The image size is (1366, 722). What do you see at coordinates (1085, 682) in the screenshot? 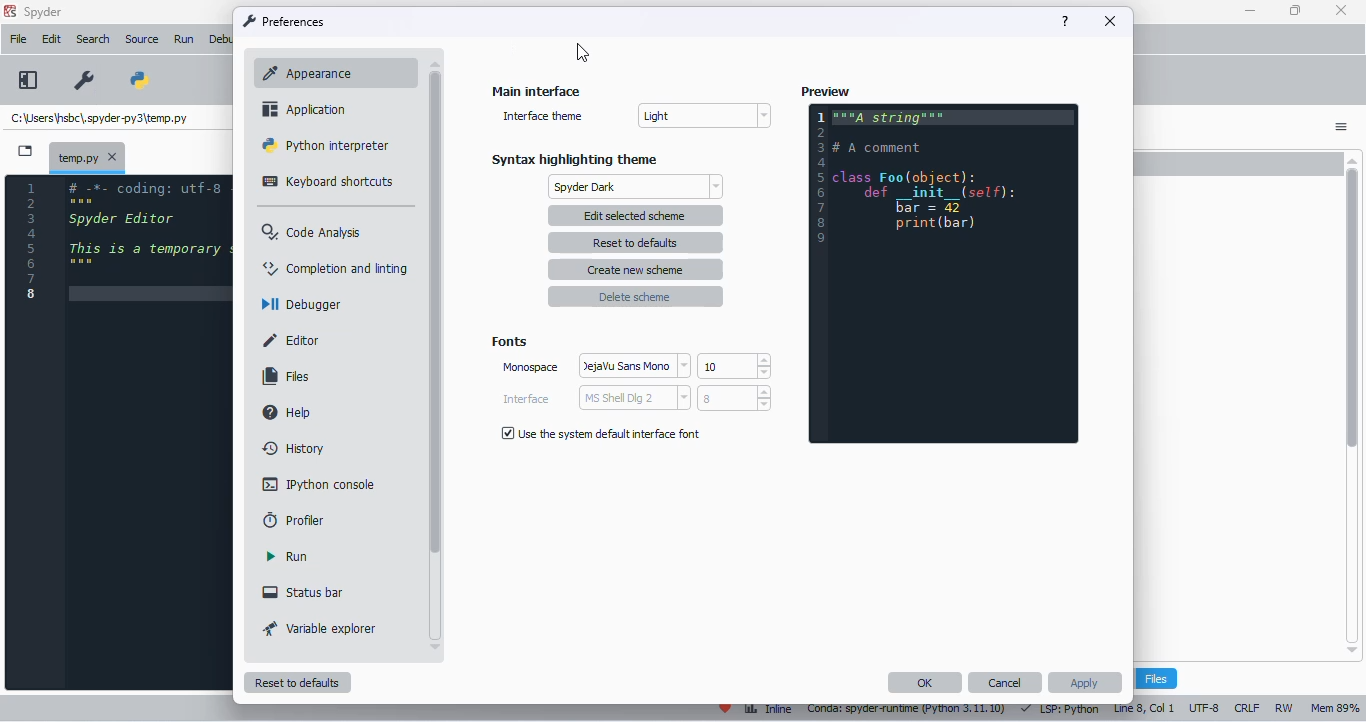
I see `Apply` at bounding box center [1085, 682].